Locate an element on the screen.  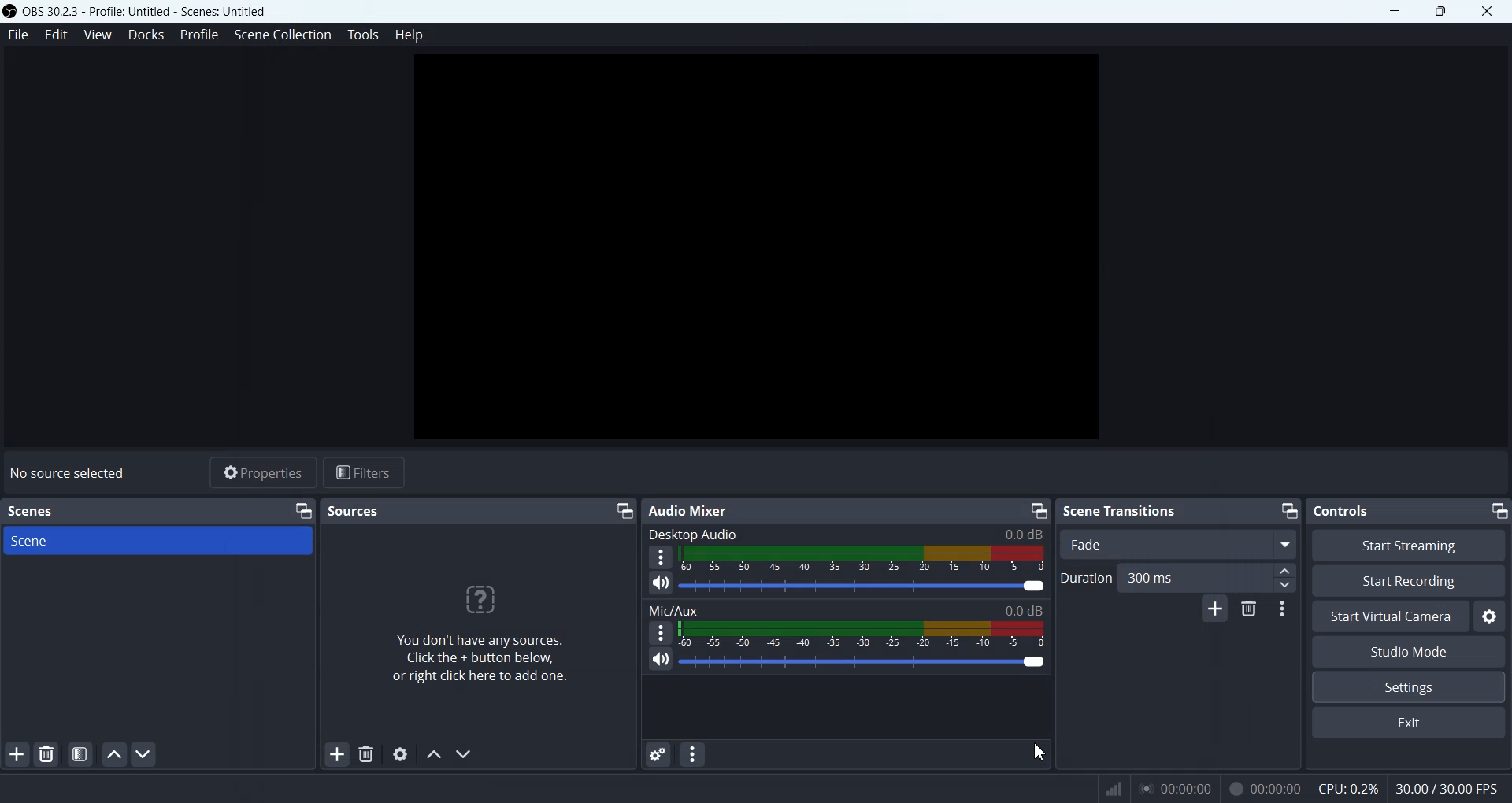
Audio Mixer is located at coordinates (689, 513).